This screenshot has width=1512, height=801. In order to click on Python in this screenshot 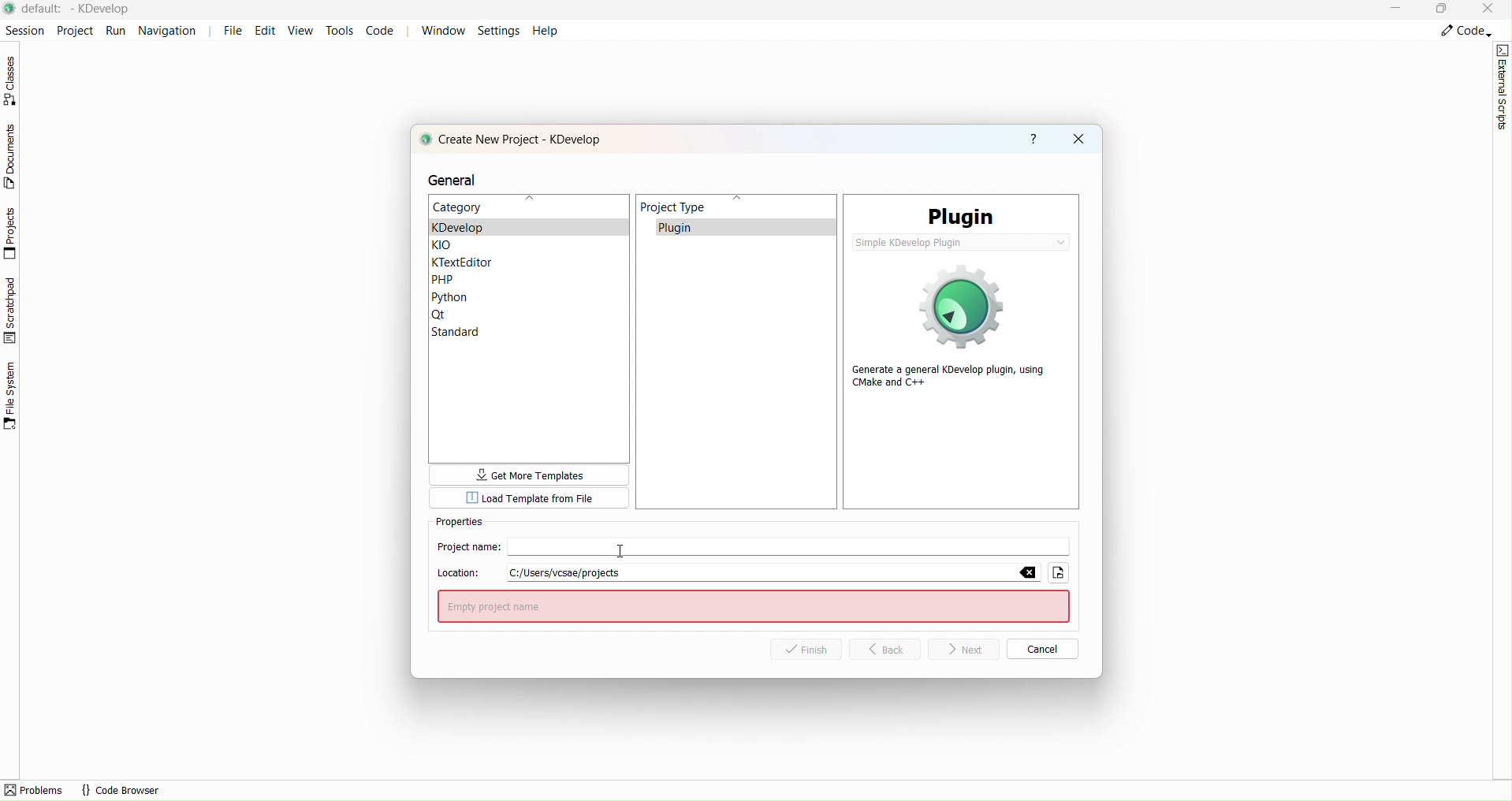, I will do `click(452, 296)`.